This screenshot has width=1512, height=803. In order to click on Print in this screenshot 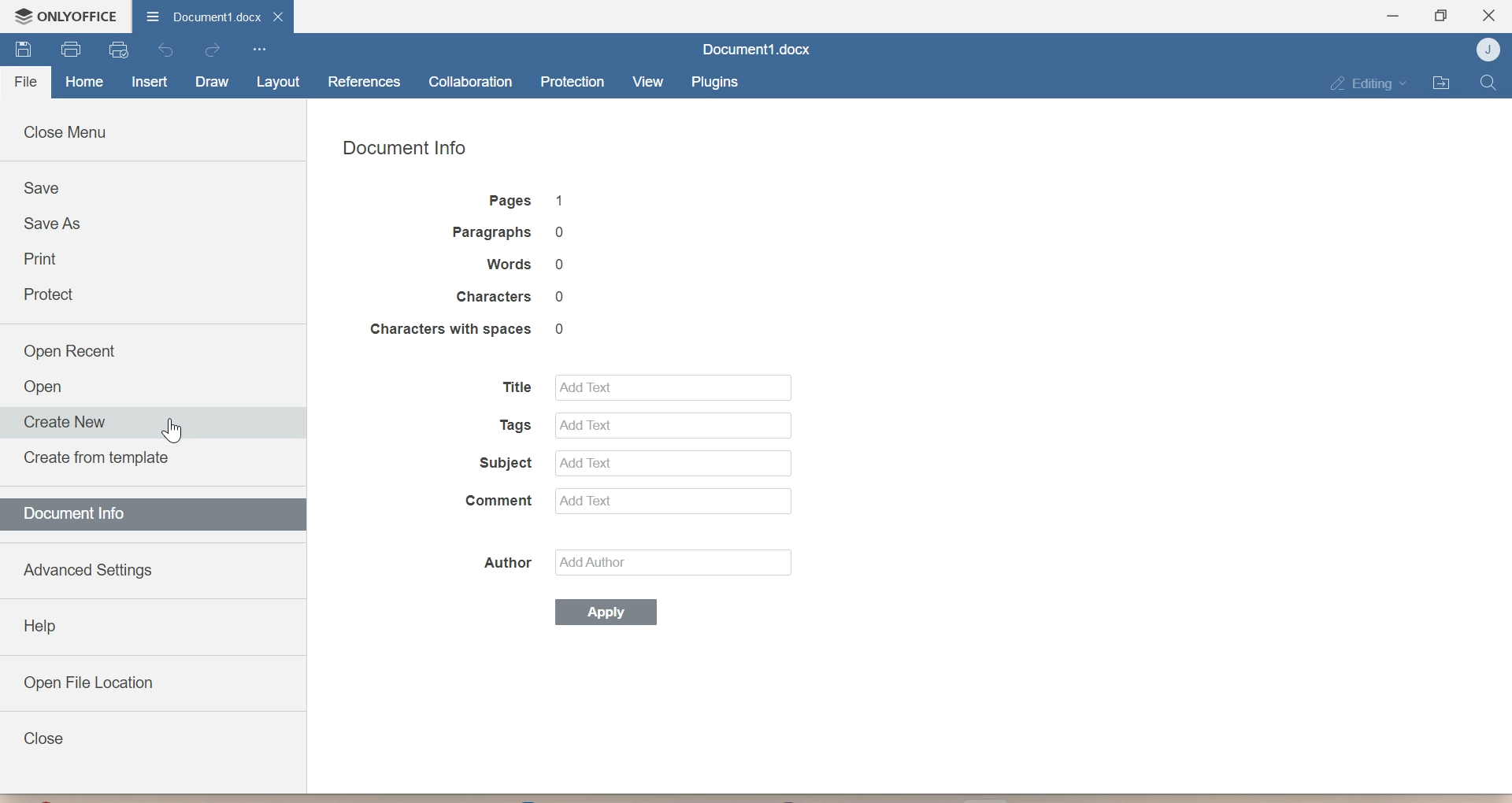, I will do `click(51, 257)`.